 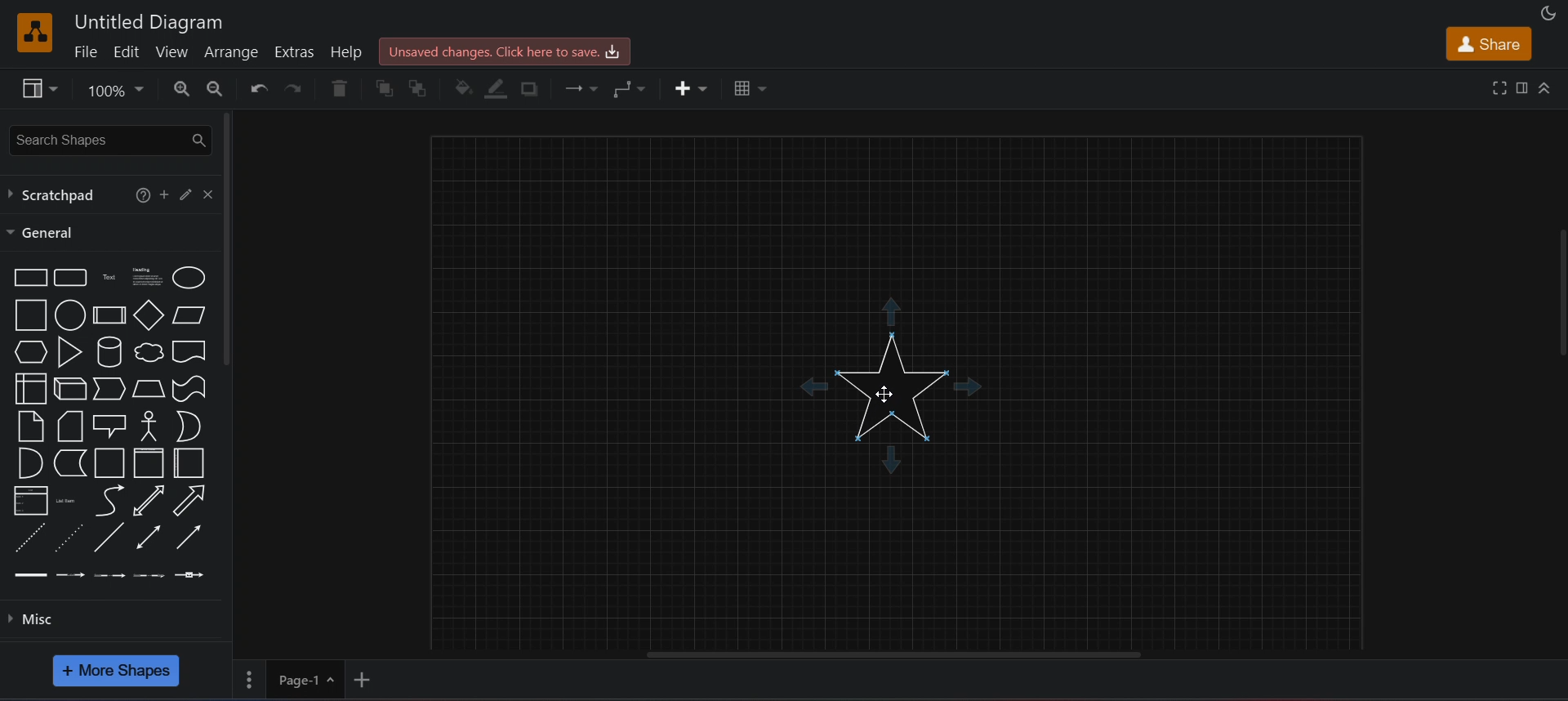 I want to click on help, so click(x=140, y=196).